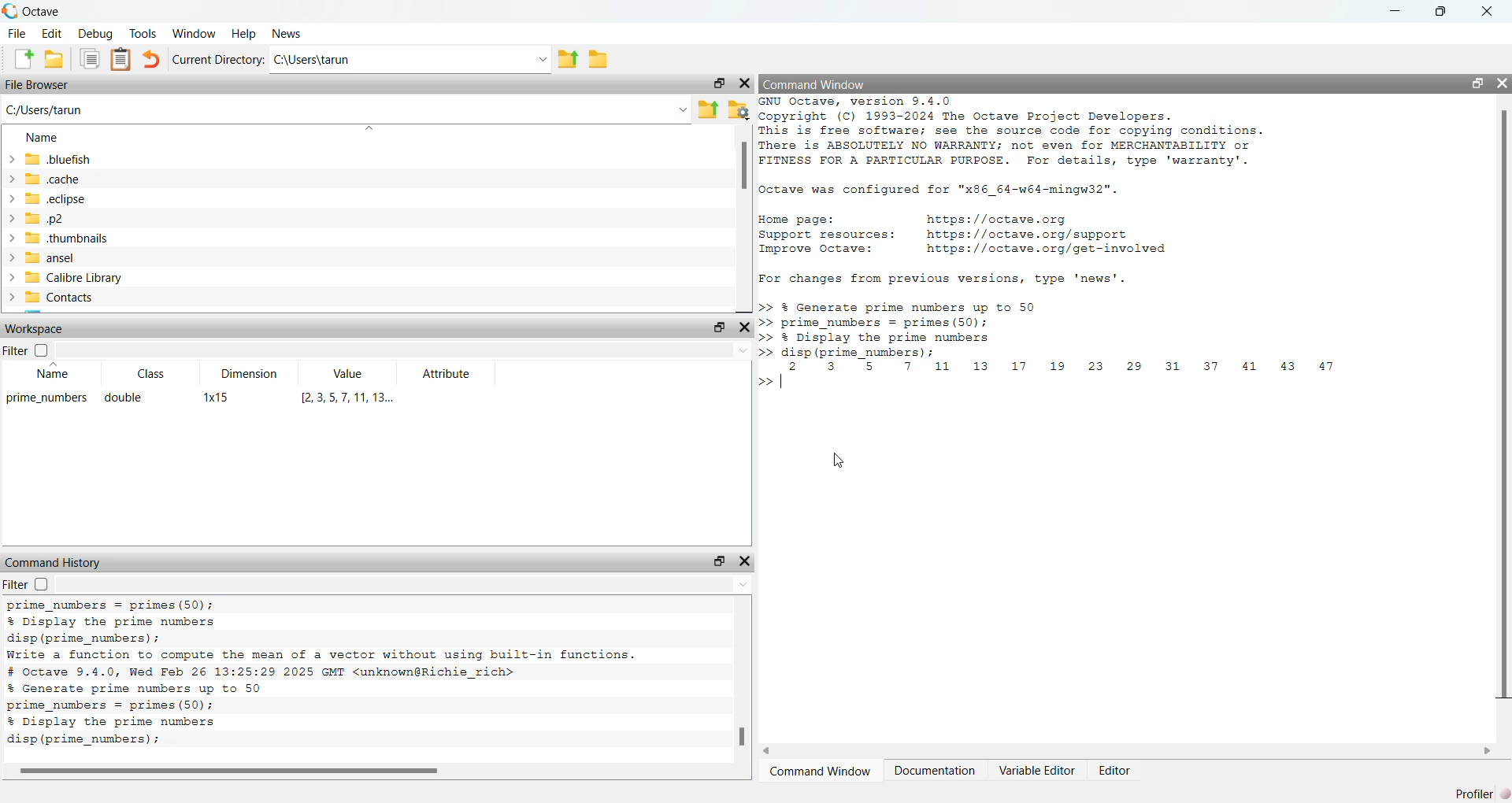 The image size is (1512, 803). Describe the element at coordinates (315, 60) in the screenshot. I see `C:\Users\tarun` at that location.